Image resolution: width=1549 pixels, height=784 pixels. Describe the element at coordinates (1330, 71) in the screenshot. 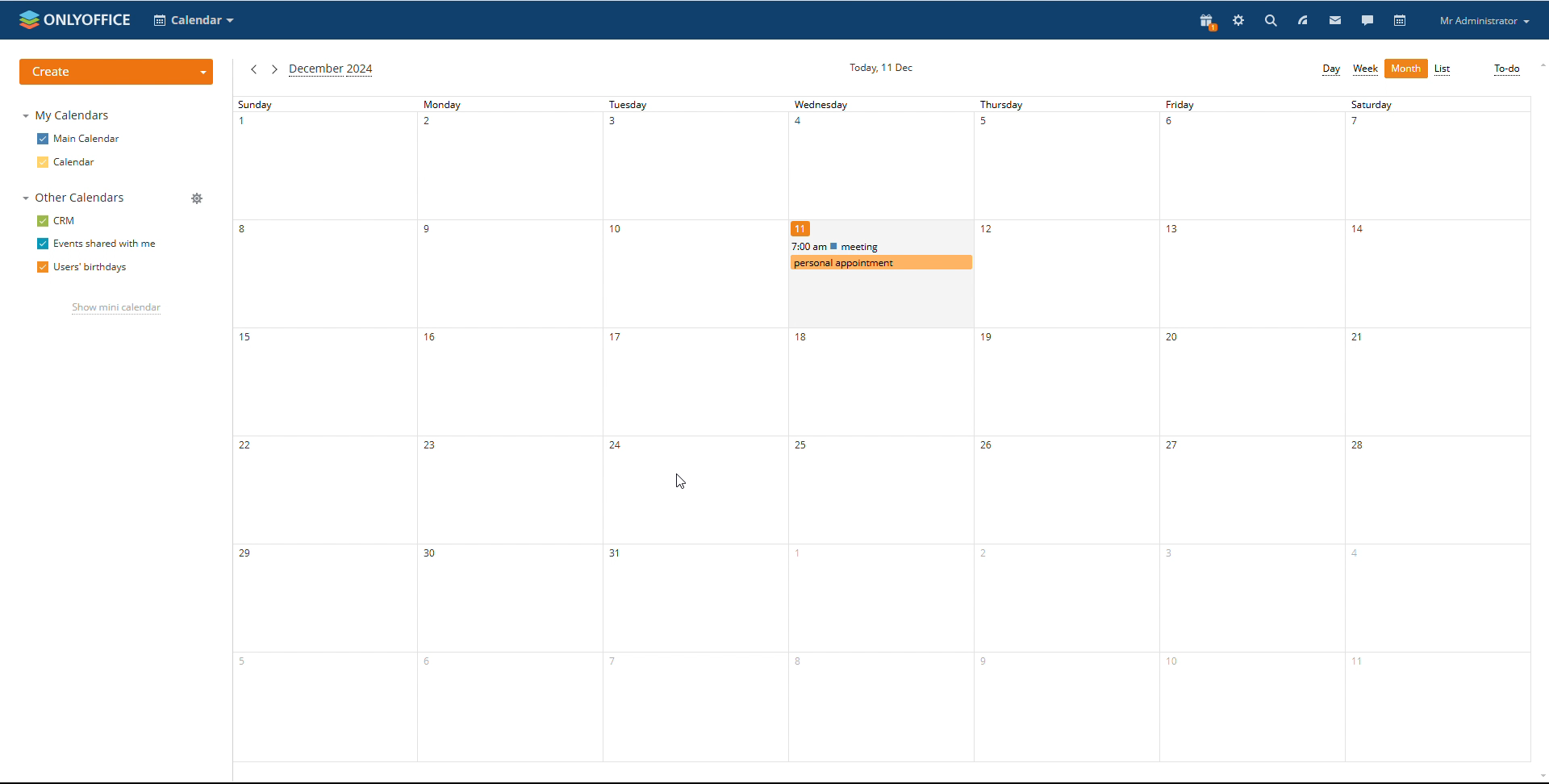

I see `day view` at that location.